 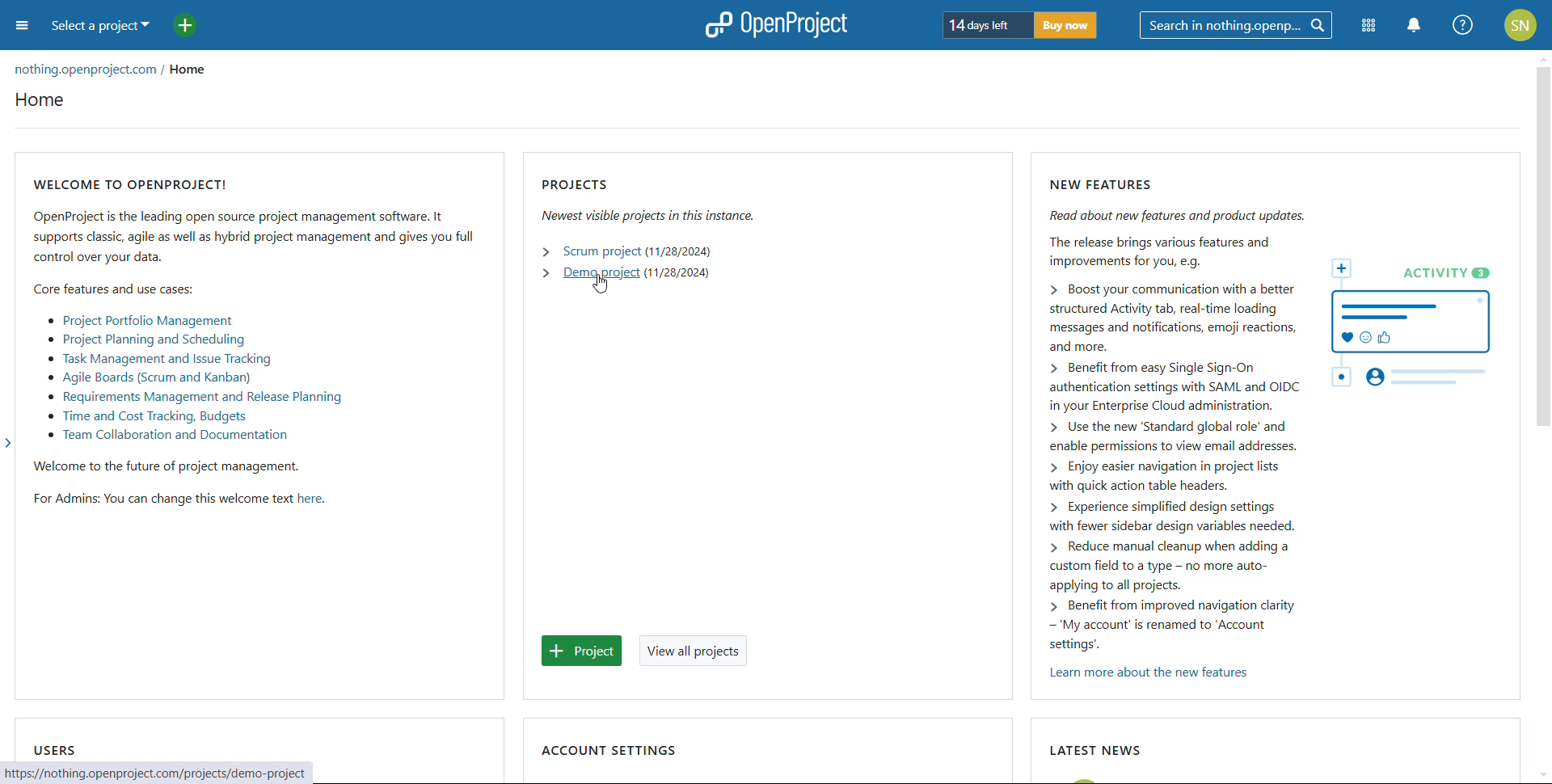 What do you see at coordinates (1159, 477) in the screenshot?
I see `> Enjoy easier navigation in project lists
with quick action table headers.` at bounding box center [1159, 477].